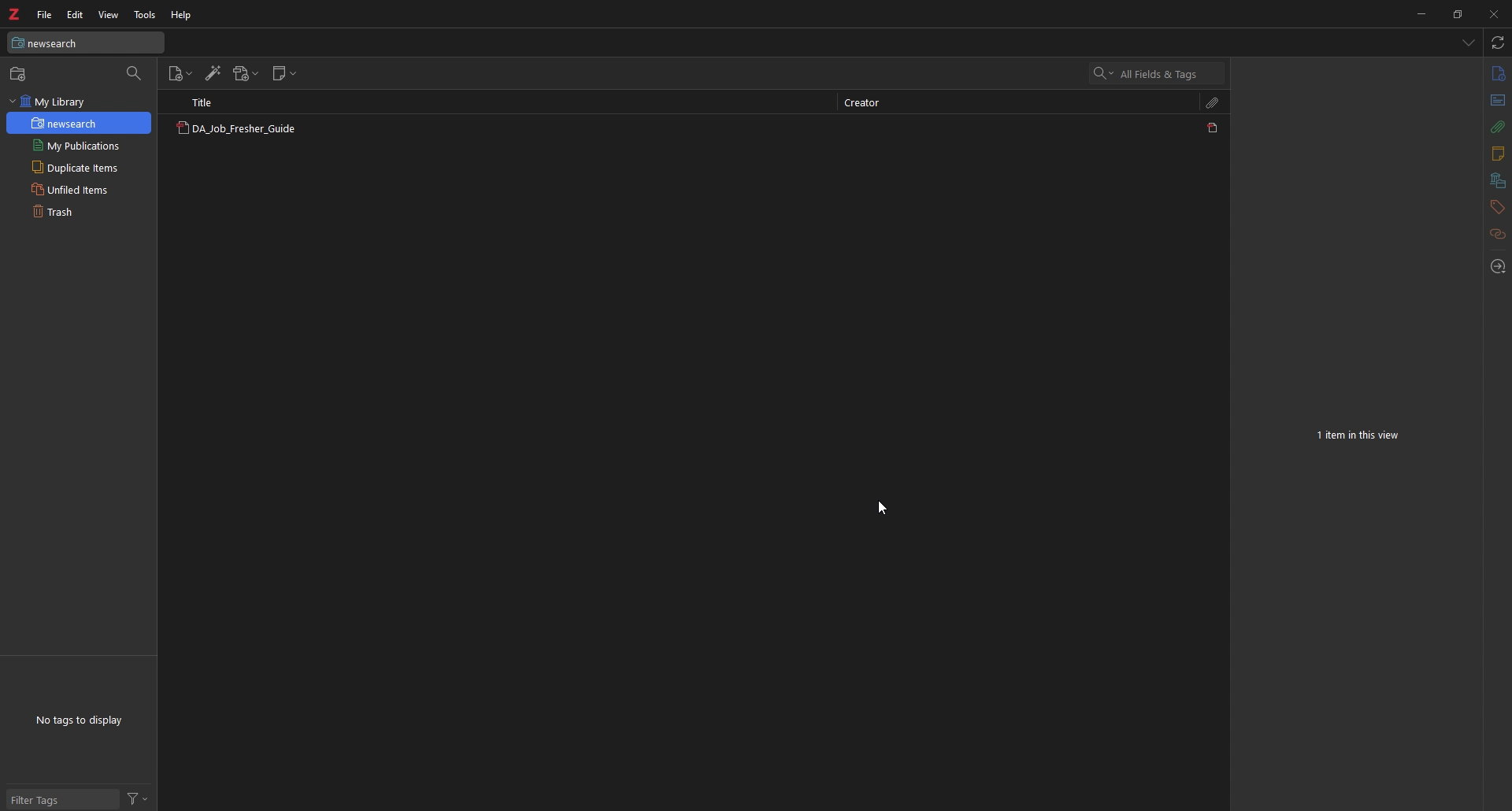 The image size is (1512, 811). I want to click on zotero, so click(13, 14).